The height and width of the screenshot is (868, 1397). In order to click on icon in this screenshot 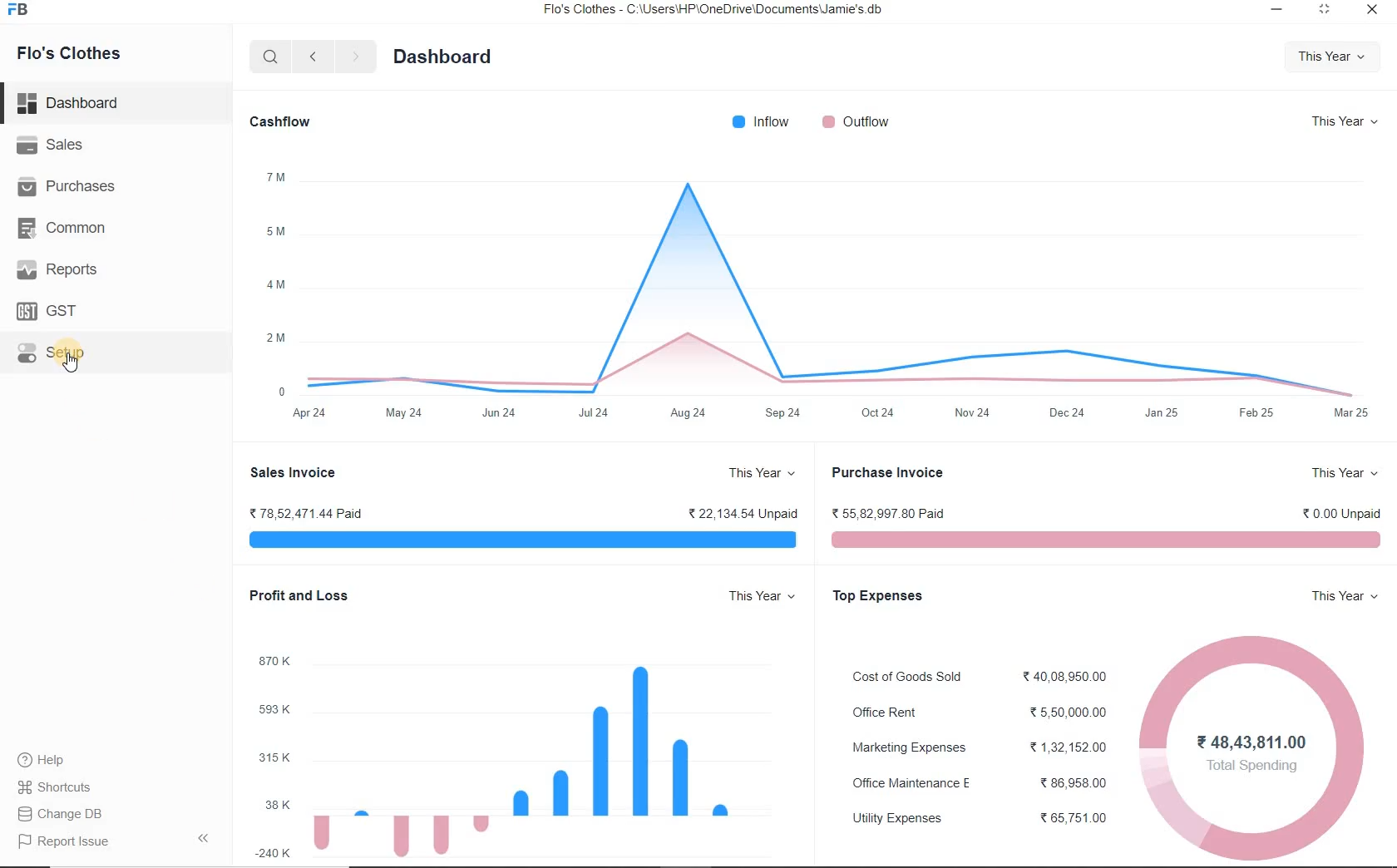, I will do `click(23, 14)`.